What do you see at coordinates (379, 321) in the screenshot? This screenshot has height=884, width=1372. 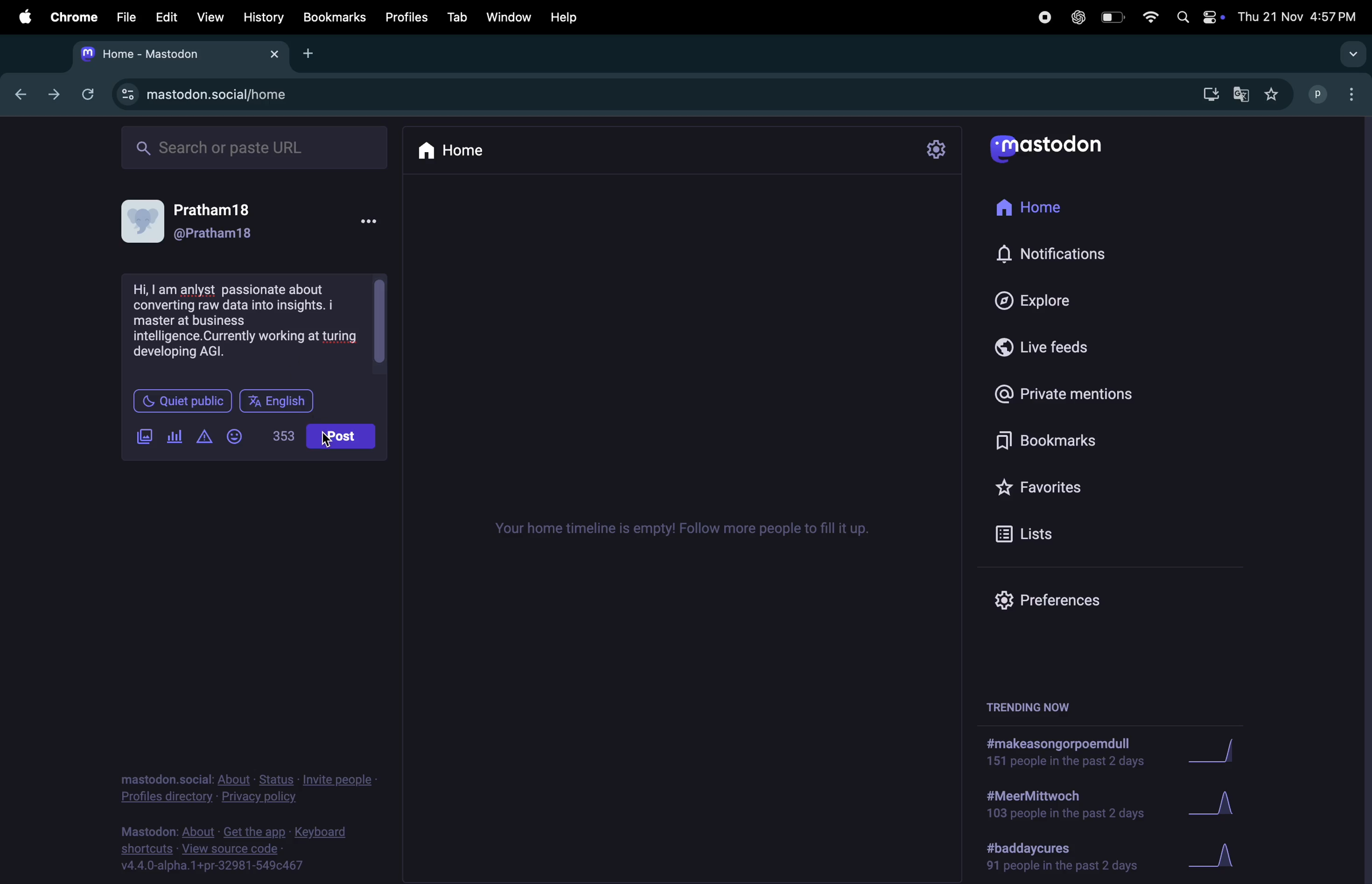 I see `scrollbar` at bounding box center [379, 321].